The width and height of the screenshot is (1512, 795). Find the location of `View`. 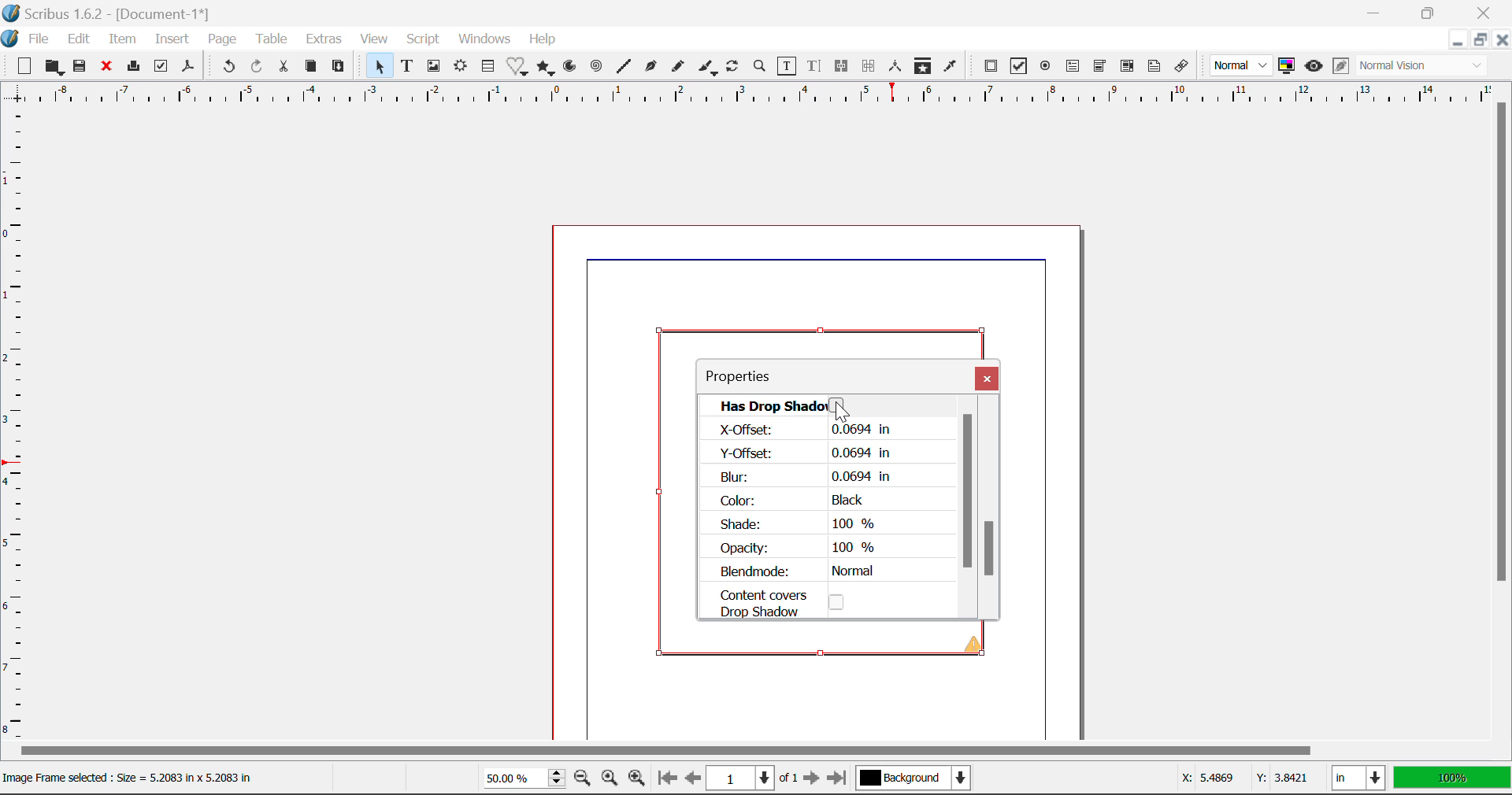

View is located at coordinates (376, 40).